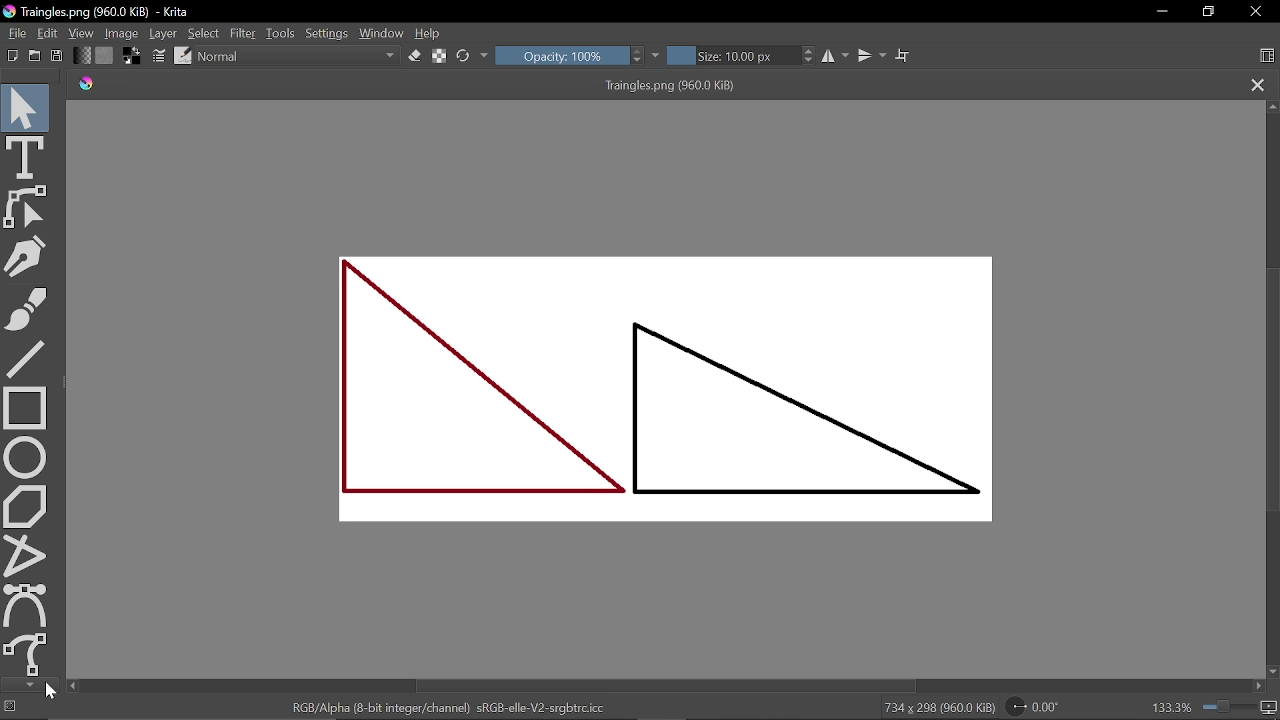 The image size is (1280, 720). What do you see at coordinates (1271, 389) in the screenshot?
I see `Vertical scrollbar` at bounding box center [1271, 389].